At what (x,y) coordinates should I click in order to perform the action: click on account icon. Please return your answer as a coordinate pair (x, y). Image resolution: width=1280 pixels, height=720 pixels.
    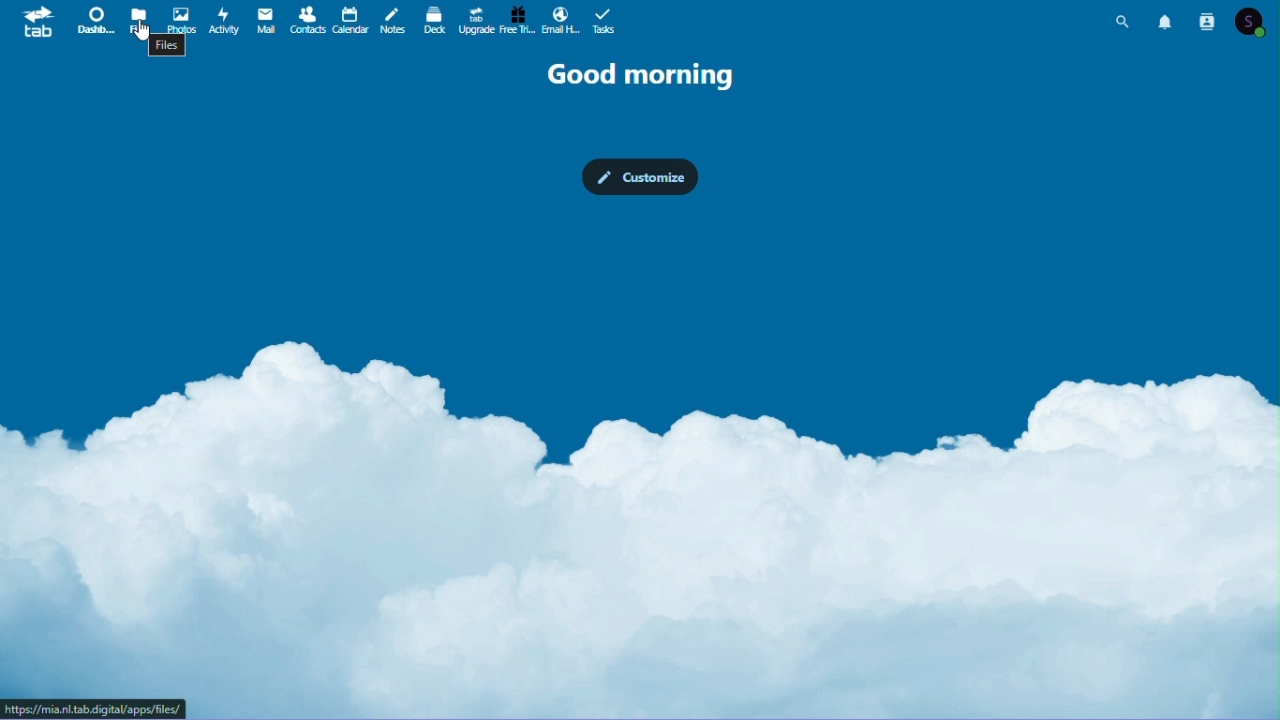
    Looking at the image, I should click on (1254, 22).